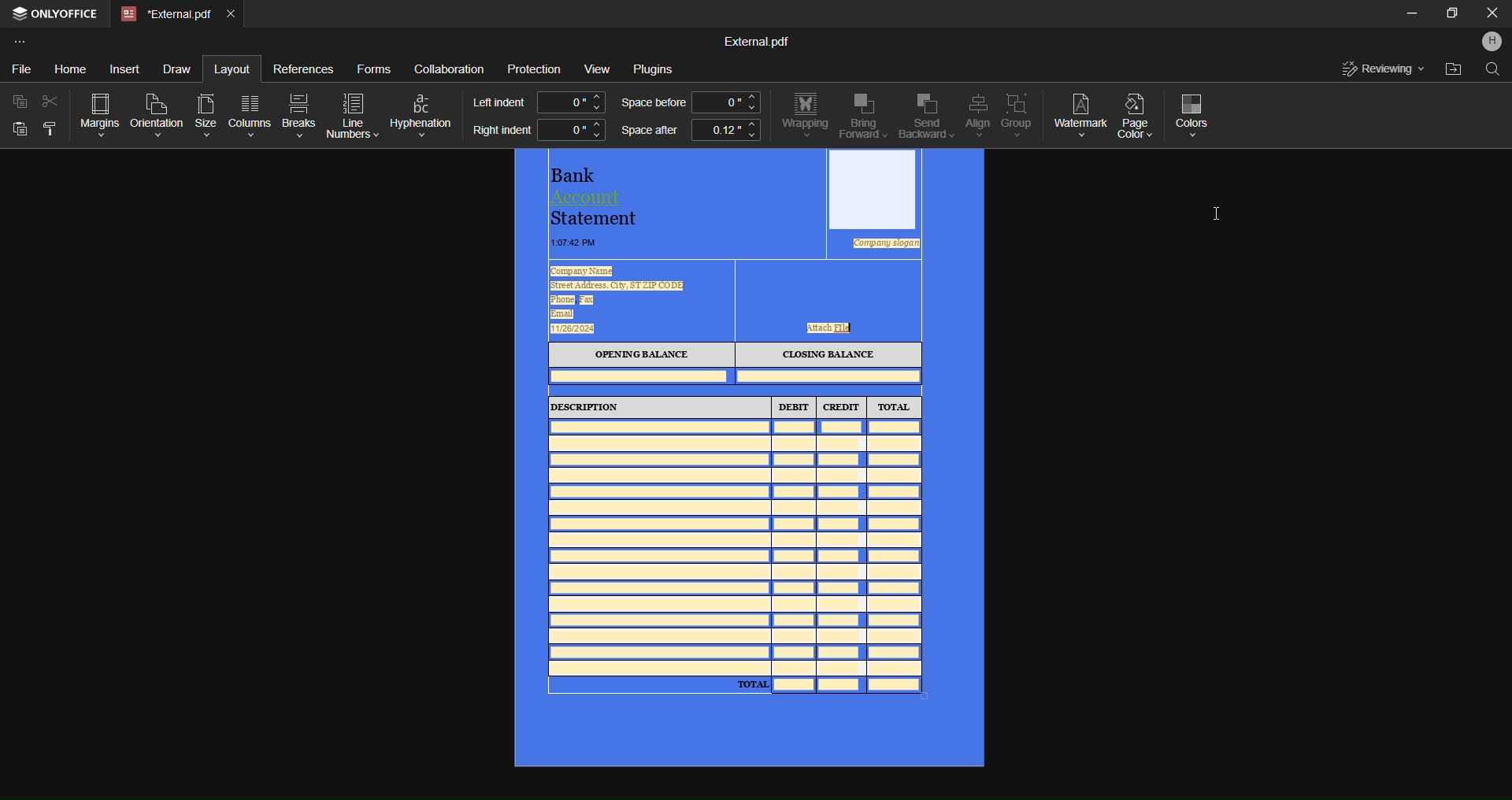  What do you see at coordinates (1384, 69) in the screenshot?
I see `Reveiwing` at bounding box center [1384, 69].